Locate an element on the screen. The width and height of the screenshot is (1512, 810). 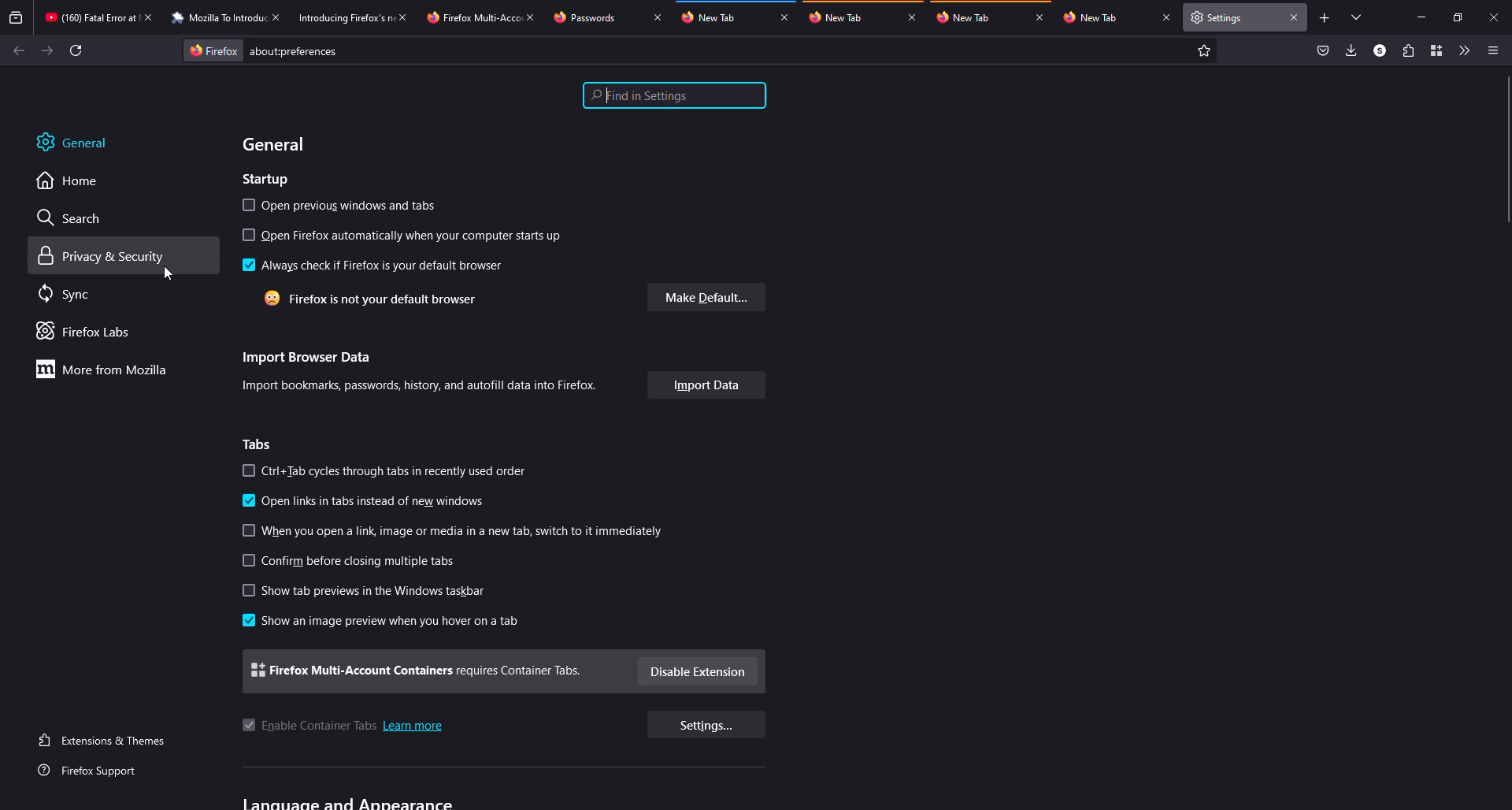
sync is located at coordinates (67, 292).